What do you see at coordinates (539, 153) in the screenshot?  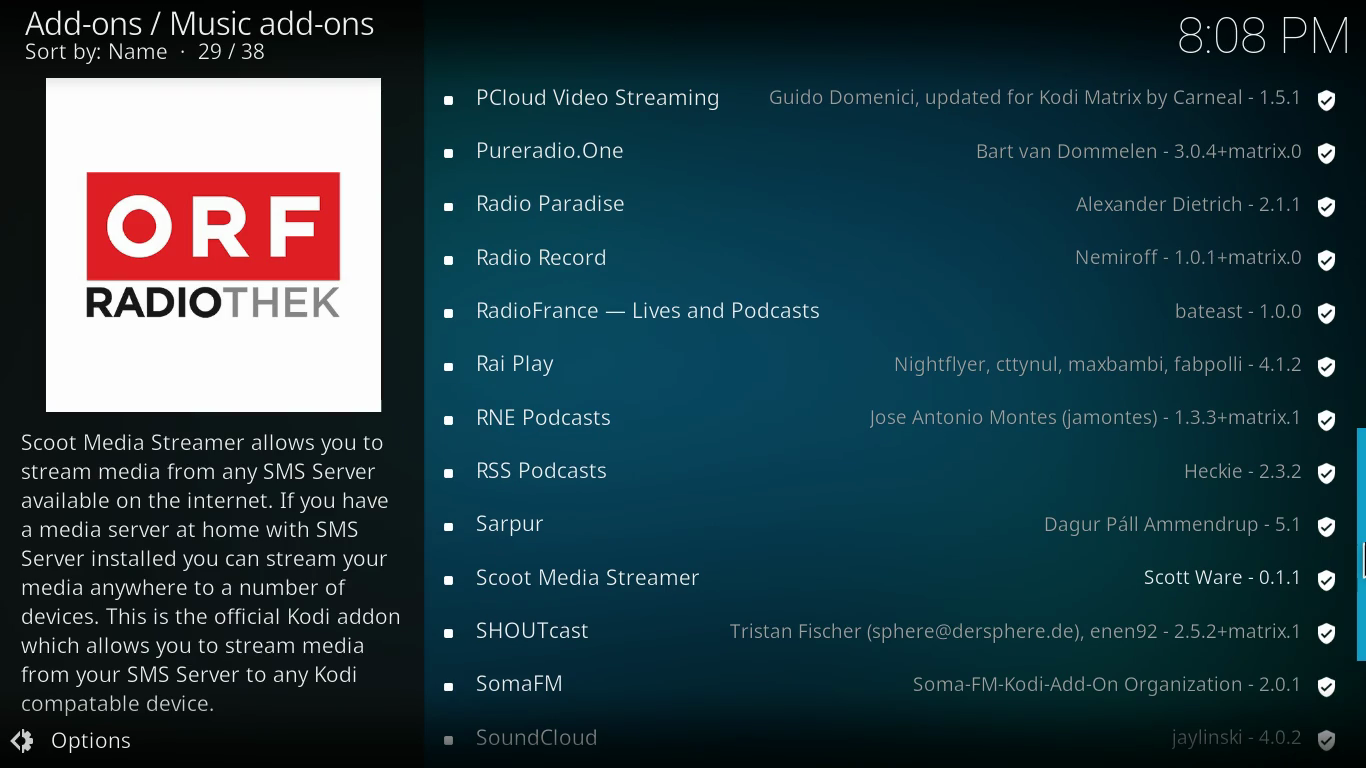 I see `add-on` at bounding box center [539, 153].